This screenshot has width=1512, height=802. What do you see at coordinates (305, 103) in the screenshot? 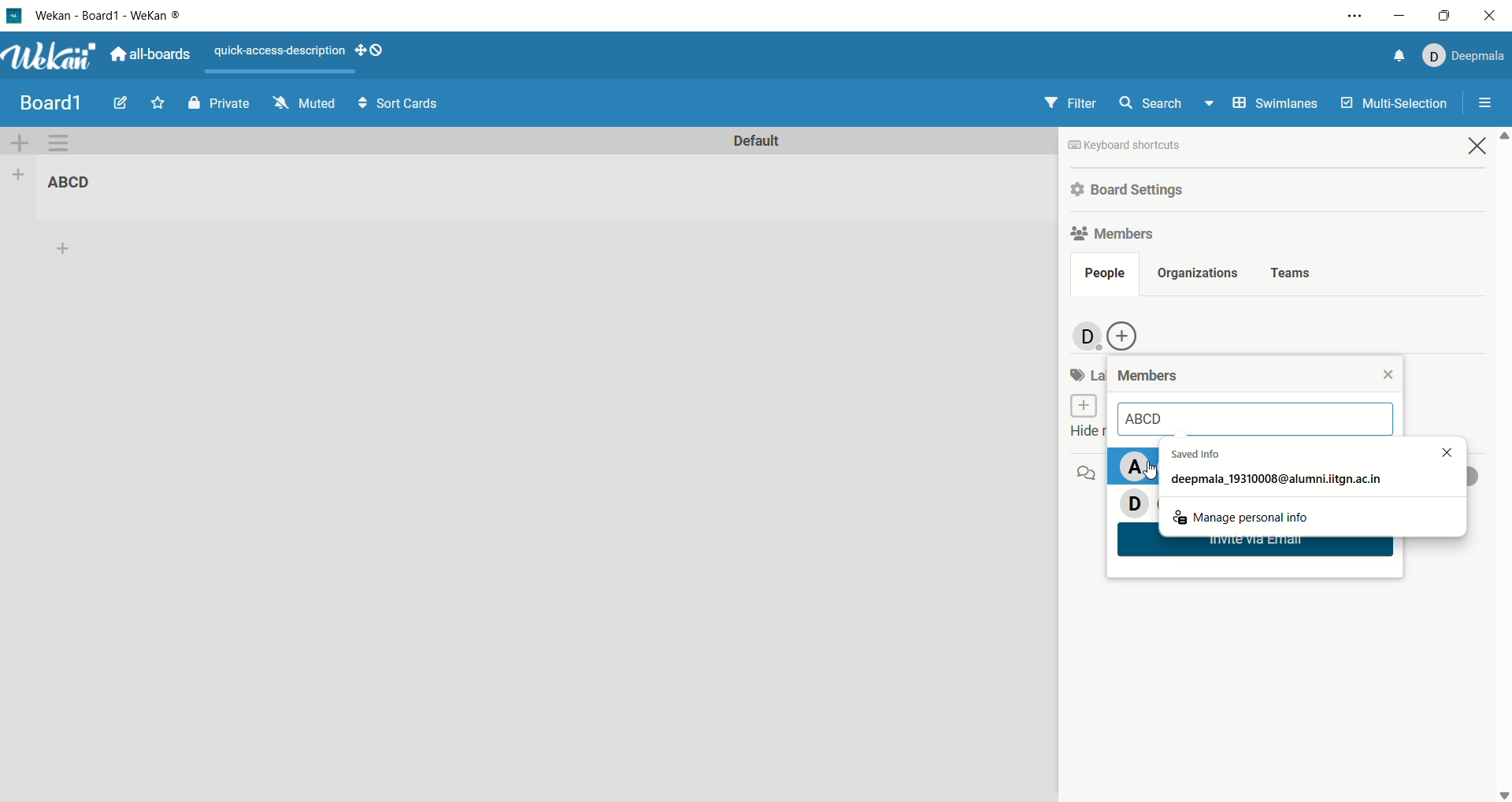
I see `muted` at bounding box center [305, 103].